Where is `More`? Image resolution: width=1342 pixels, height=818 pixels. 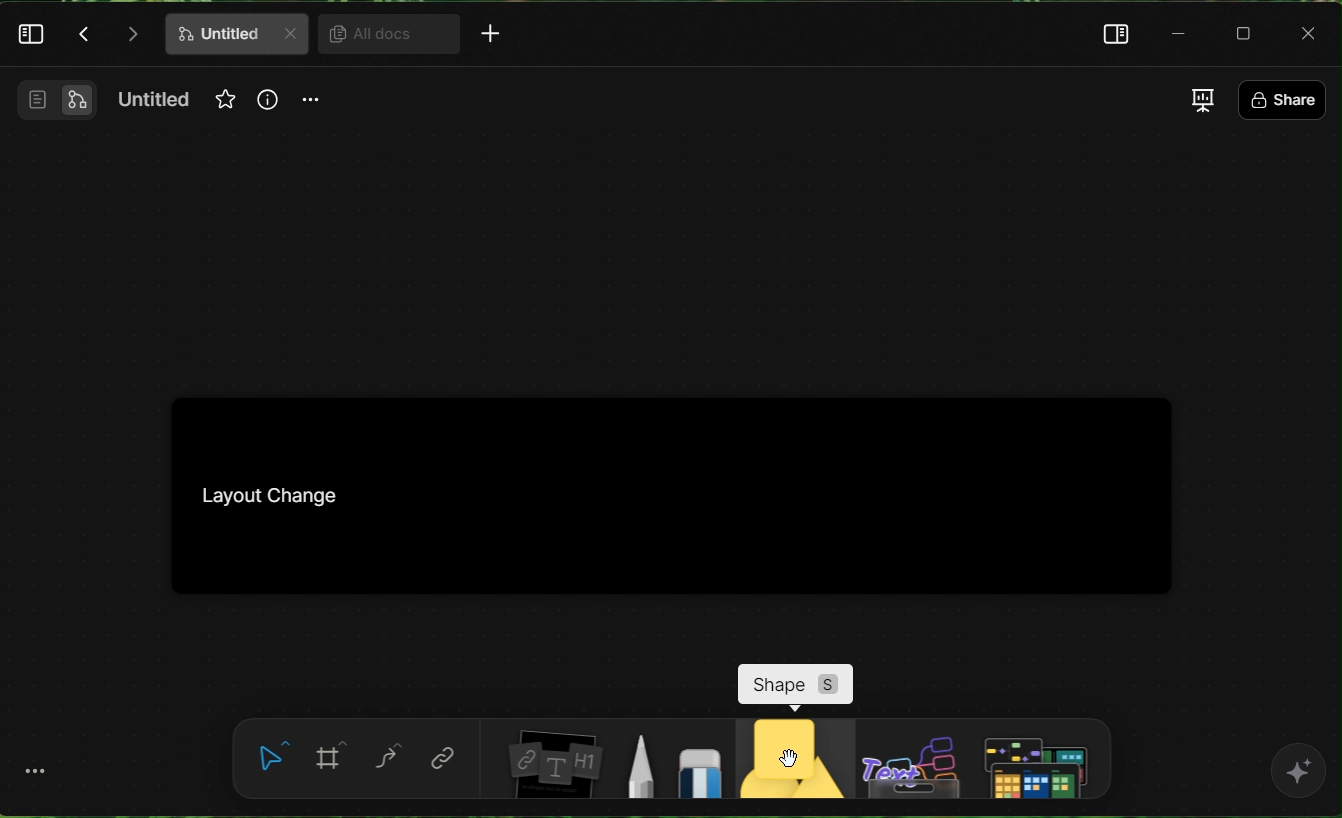
More is located at coordinates (496, 37).